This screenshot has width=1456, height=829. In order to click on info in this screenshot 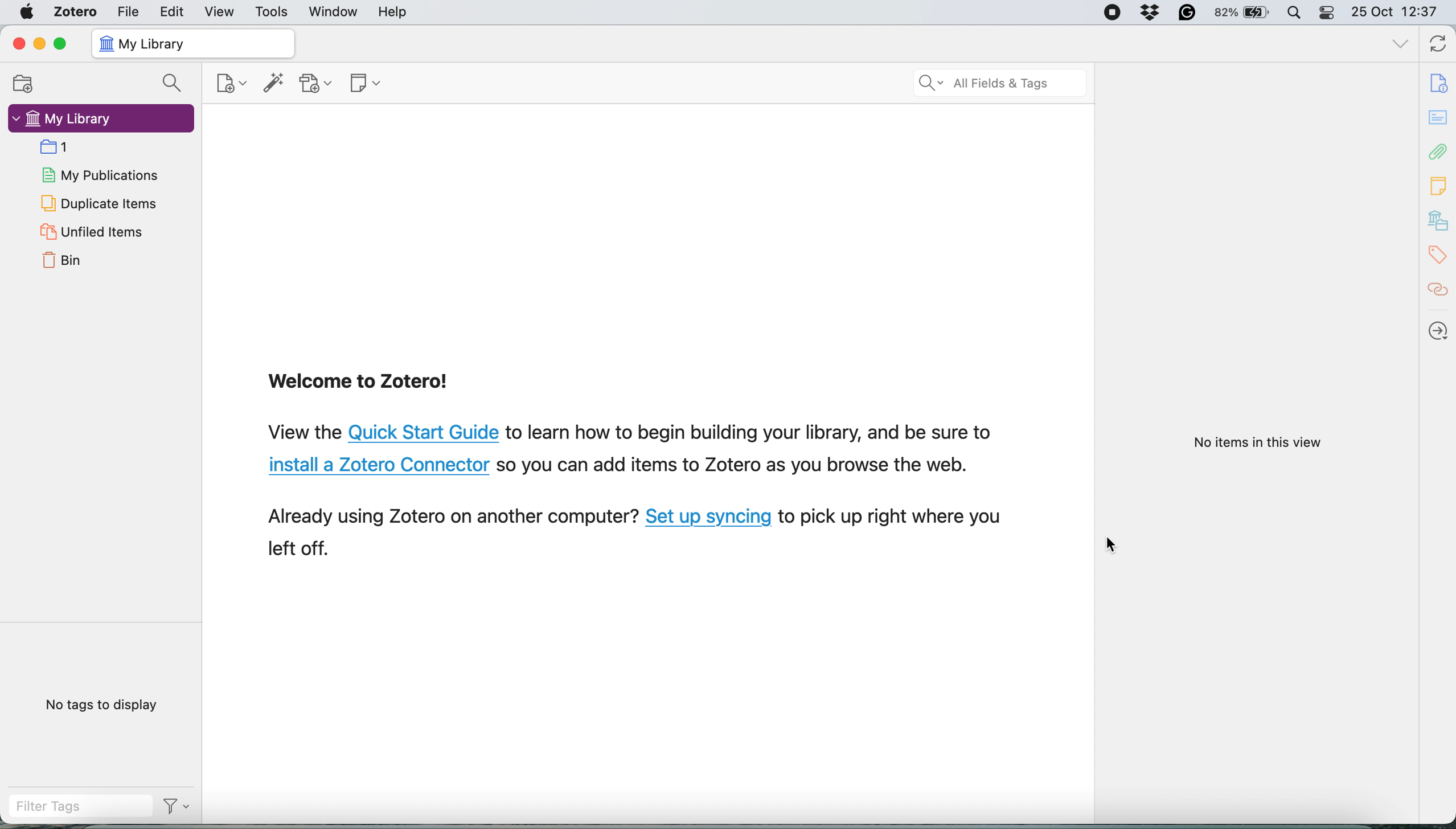, I will do `click(1441, 84)`.